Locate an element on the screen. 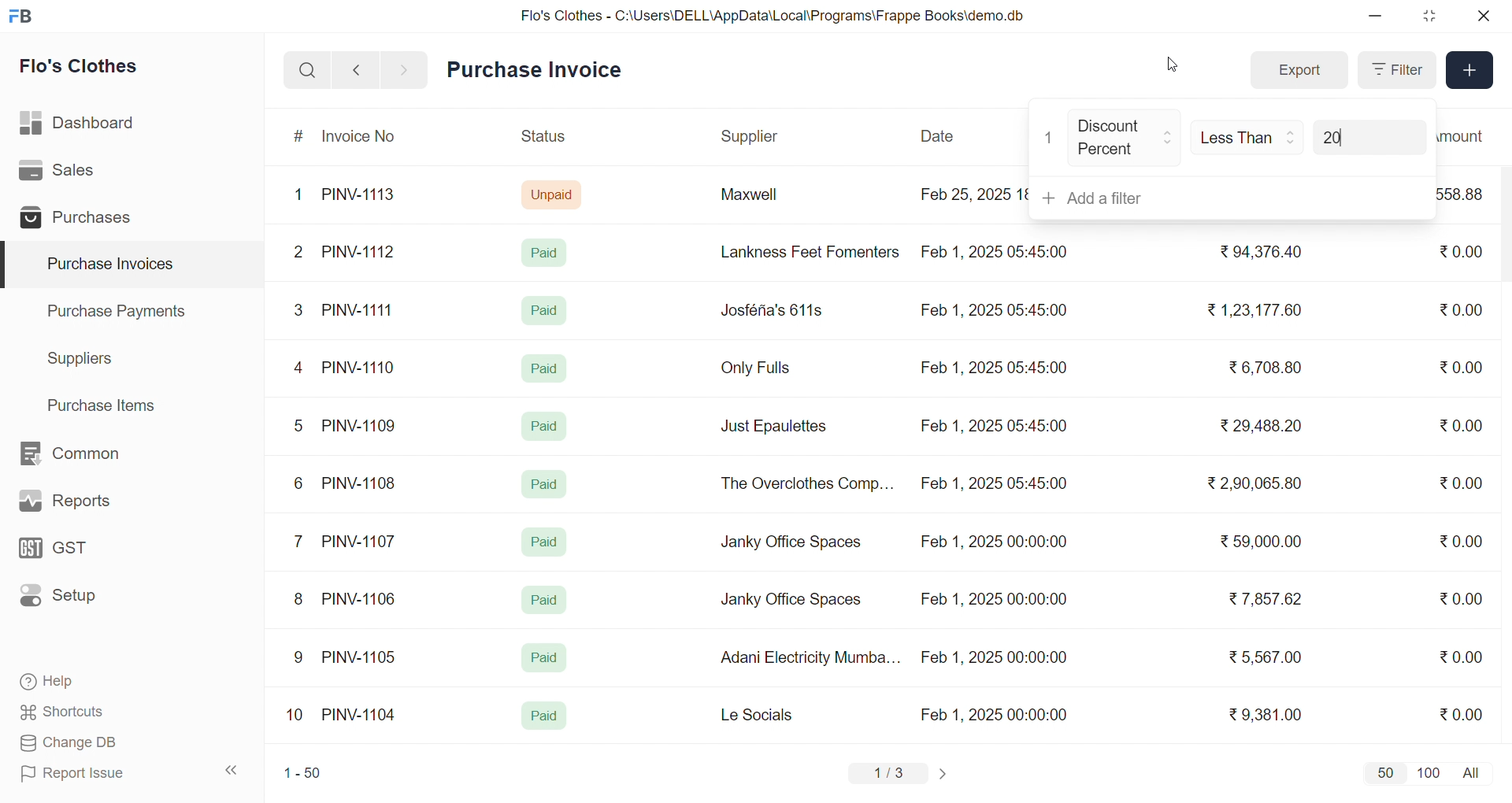 The width and height of the screenshot is (1512, 803). Common is located at coordinates (87, 454).